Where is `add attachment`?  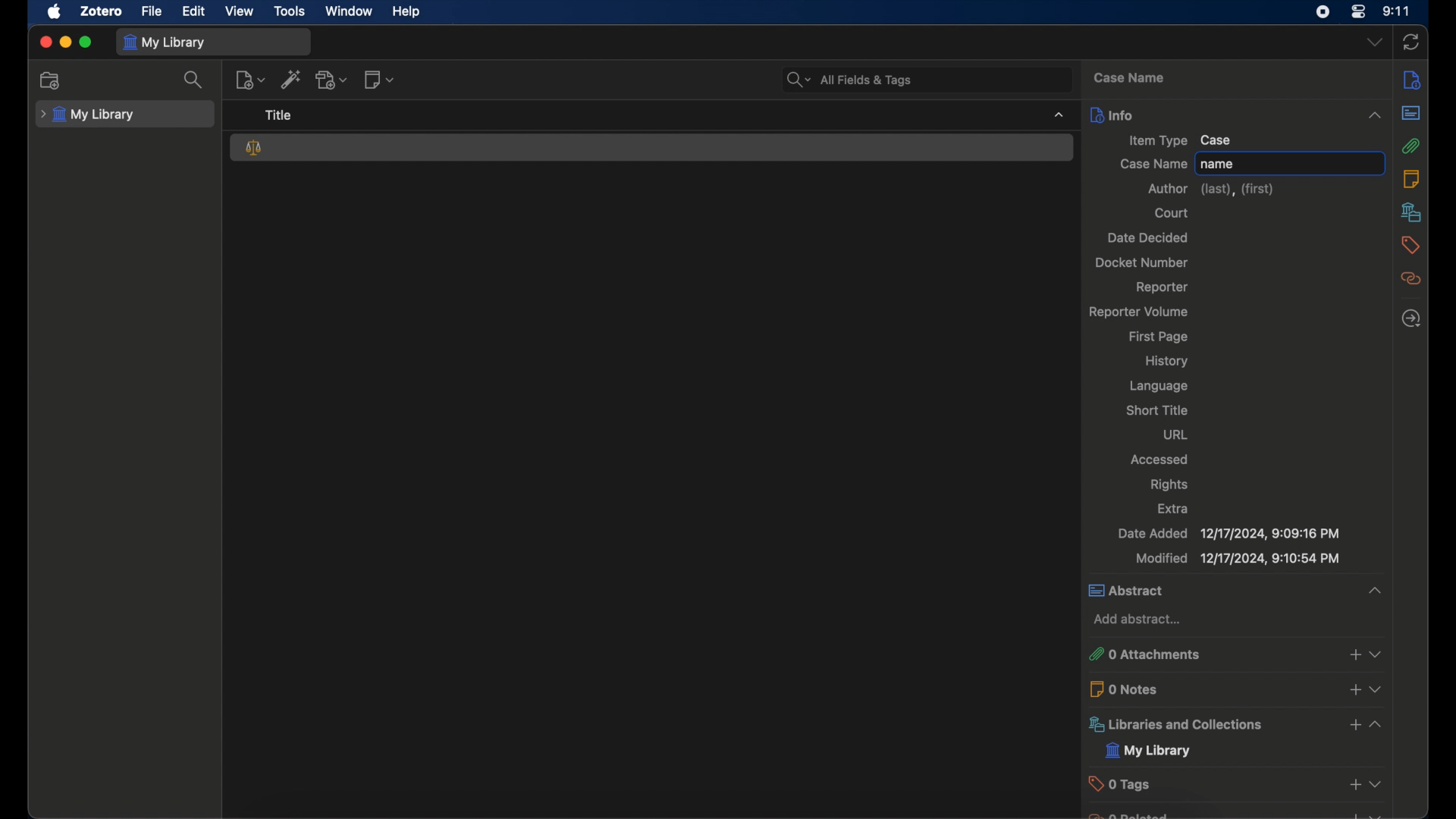
add attachment is located at coordinates (333, 80).